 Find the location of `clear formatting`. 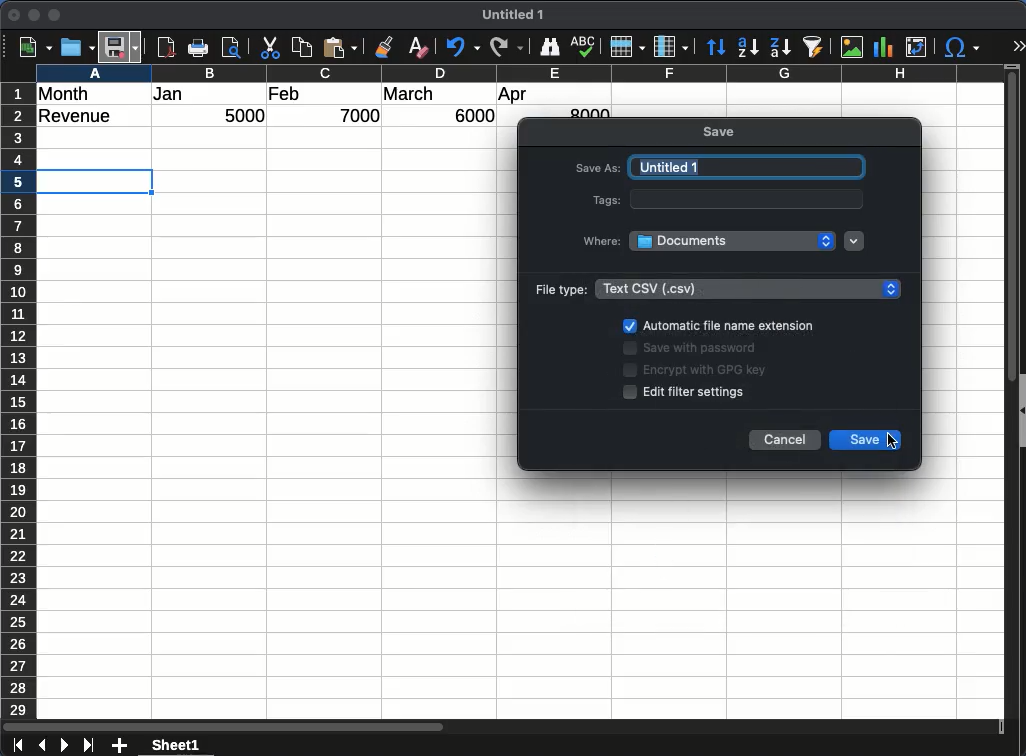

clear formatting is located at coordinates (418, 47).